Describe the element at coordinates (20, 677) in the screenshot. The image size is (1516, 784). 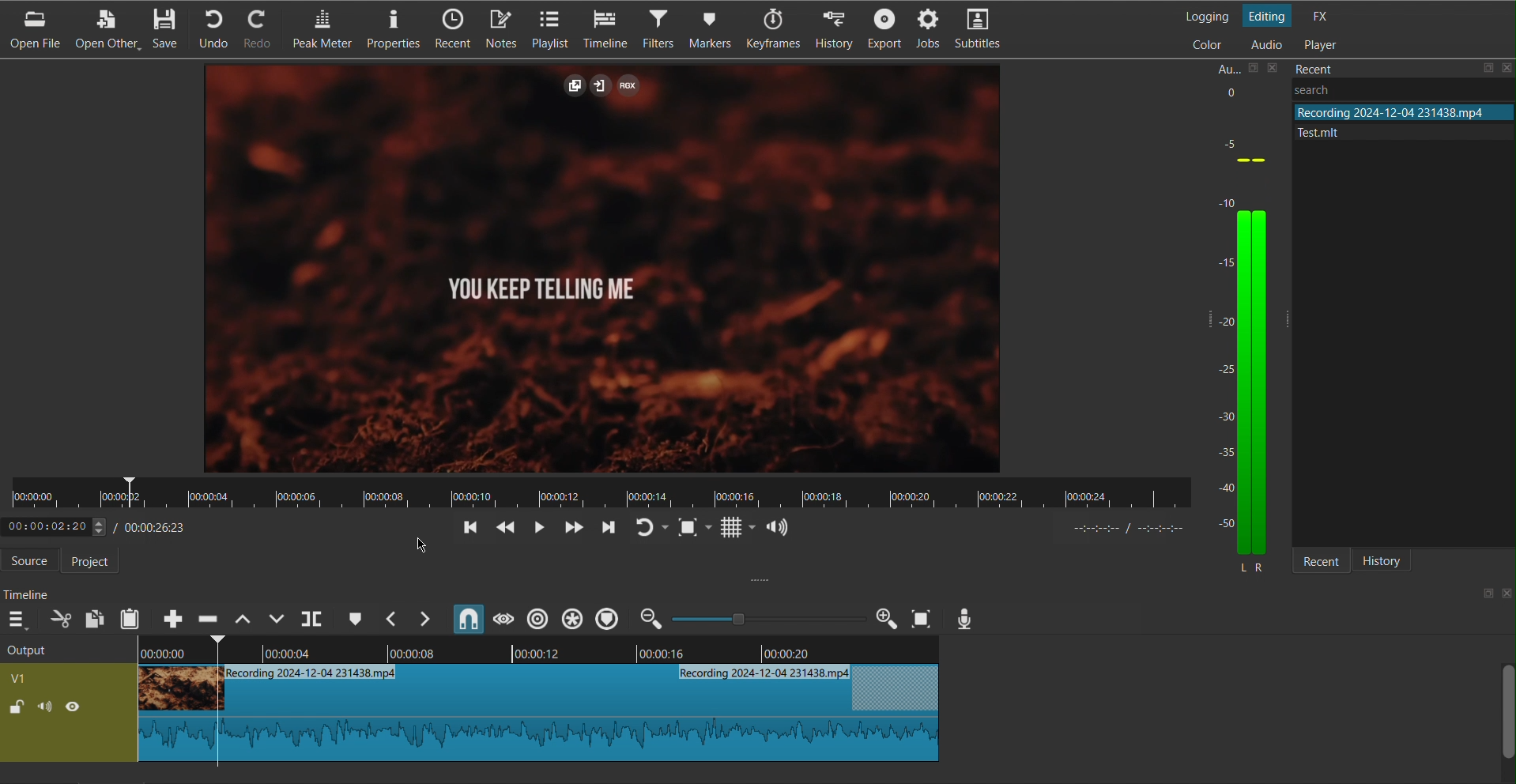
I see `v1` at that location.